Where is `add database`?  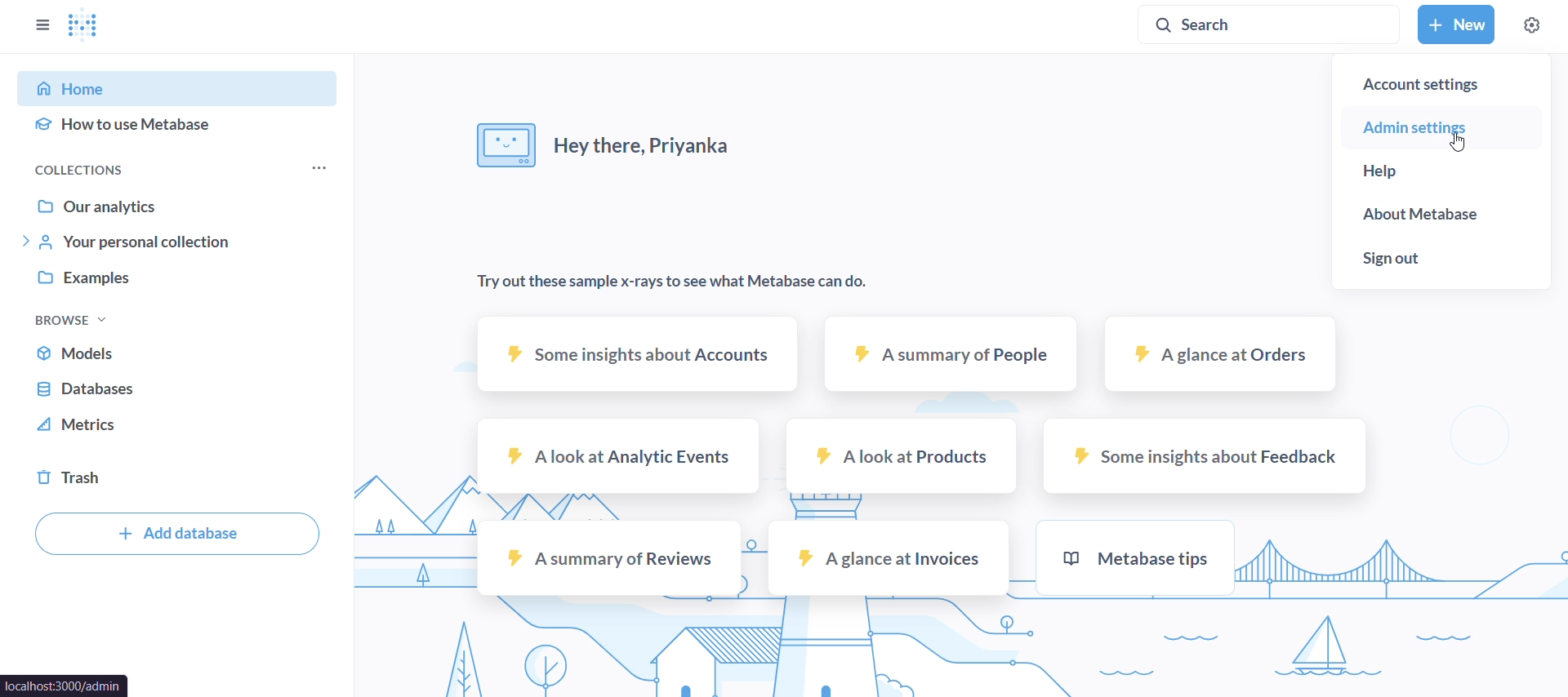 add database is located at coordinates (175, 532).